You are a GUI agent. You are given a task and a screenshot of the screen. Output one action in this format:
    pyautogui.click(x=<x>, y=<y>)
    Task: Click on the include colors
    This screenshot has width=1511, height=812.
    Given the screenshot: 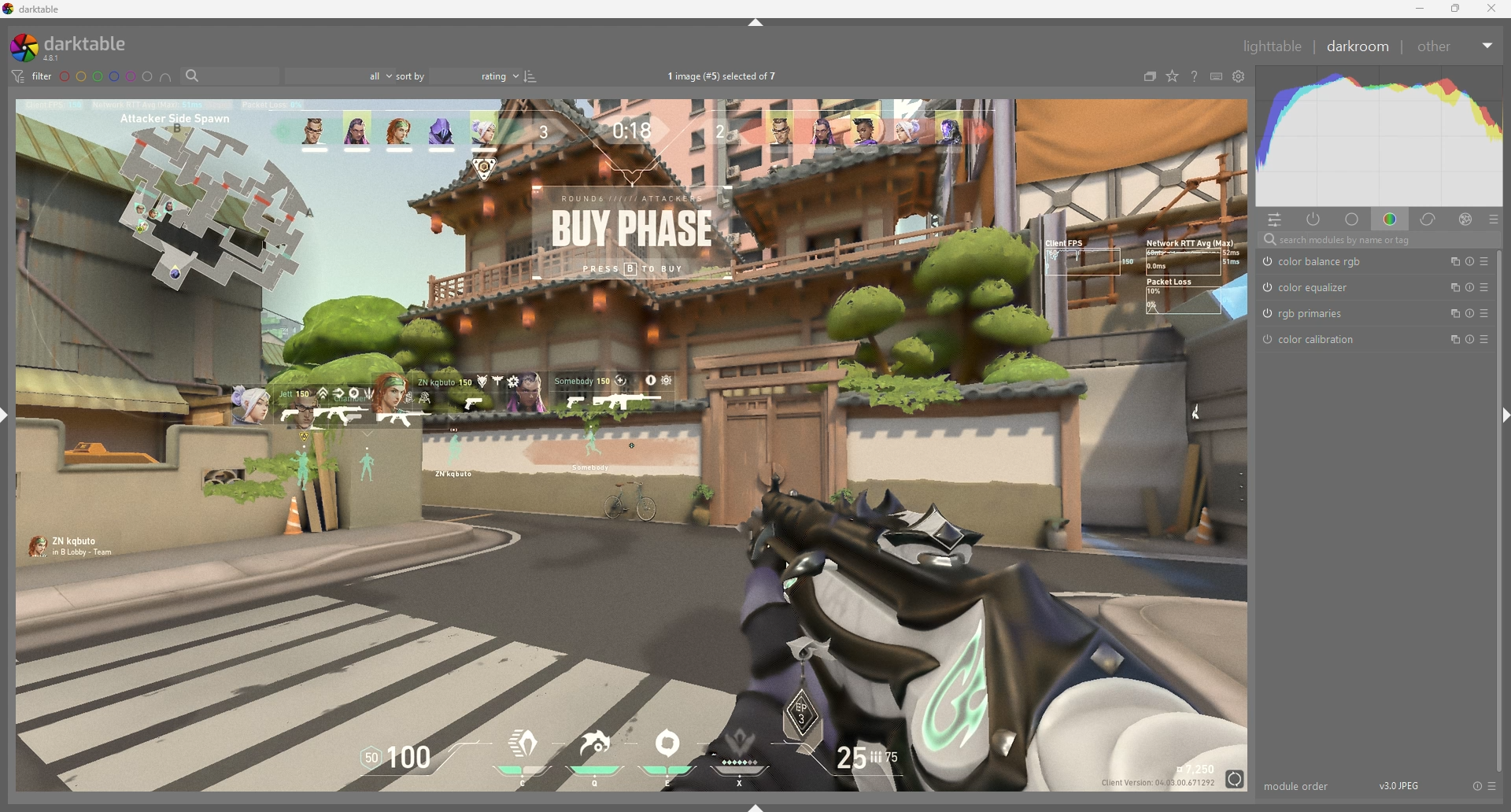 What is the action you would take?
    pyautogui.click(x=165, y=78)
    